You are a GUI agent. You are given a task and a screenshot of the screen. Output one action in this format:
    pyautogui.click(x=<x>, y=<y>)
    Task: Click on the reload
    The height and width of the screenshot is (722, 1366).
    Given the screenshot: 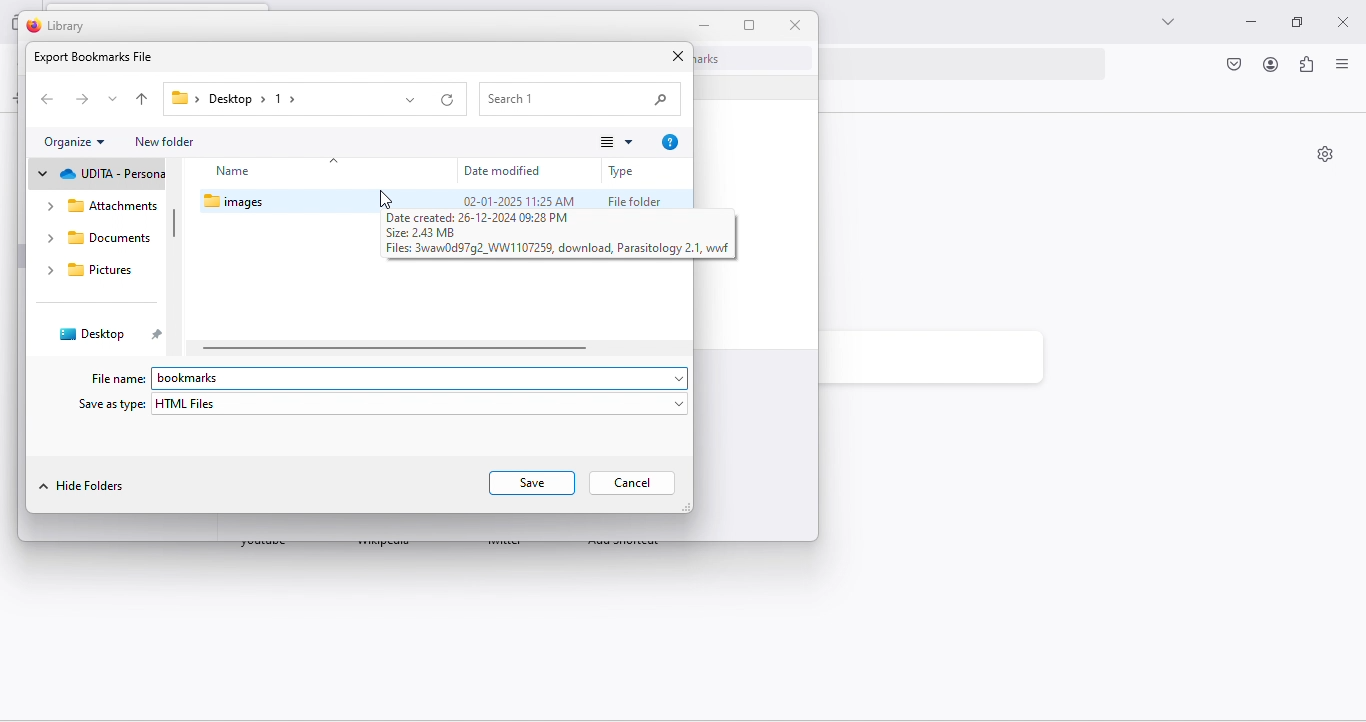 What is the action you would take?
    pyautogui.click(x=447, y=100)
    